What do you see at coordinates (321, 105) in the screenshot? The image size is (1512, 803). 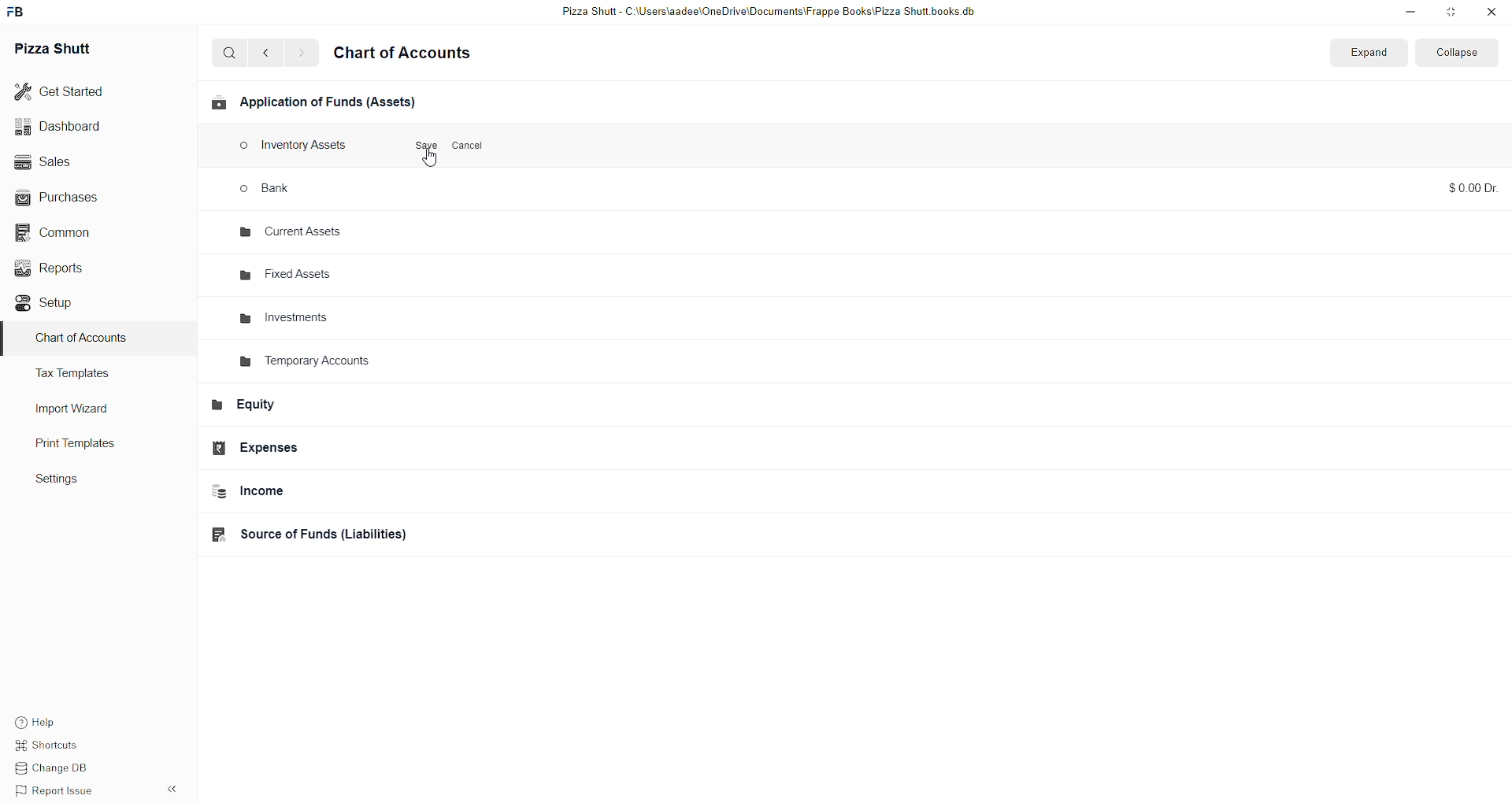 I see `Applications of funds(Assets)` at bounding box center [321, 105].